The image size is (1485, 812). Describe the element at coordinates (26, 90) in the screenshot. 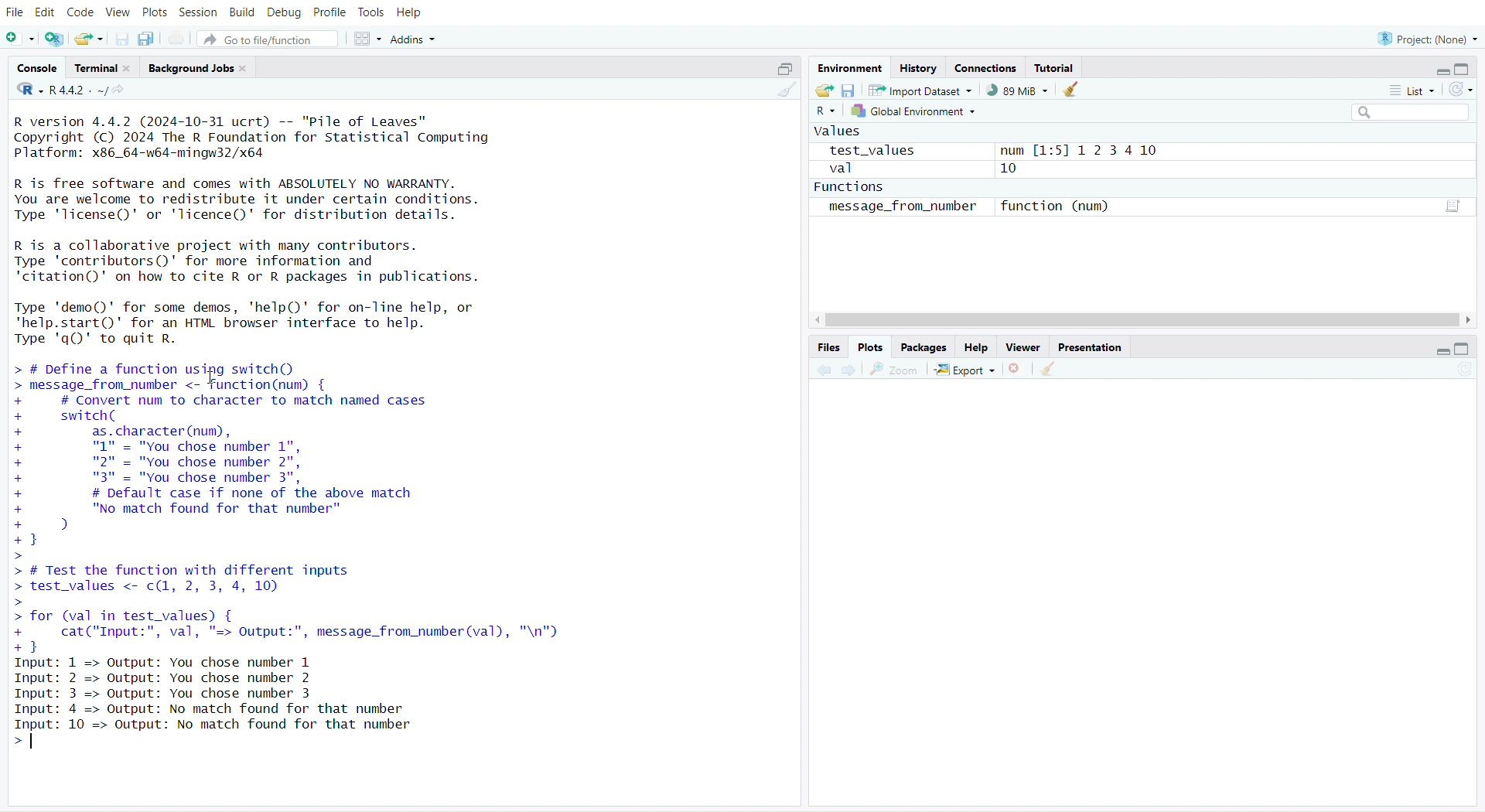

I see `R` at that location.